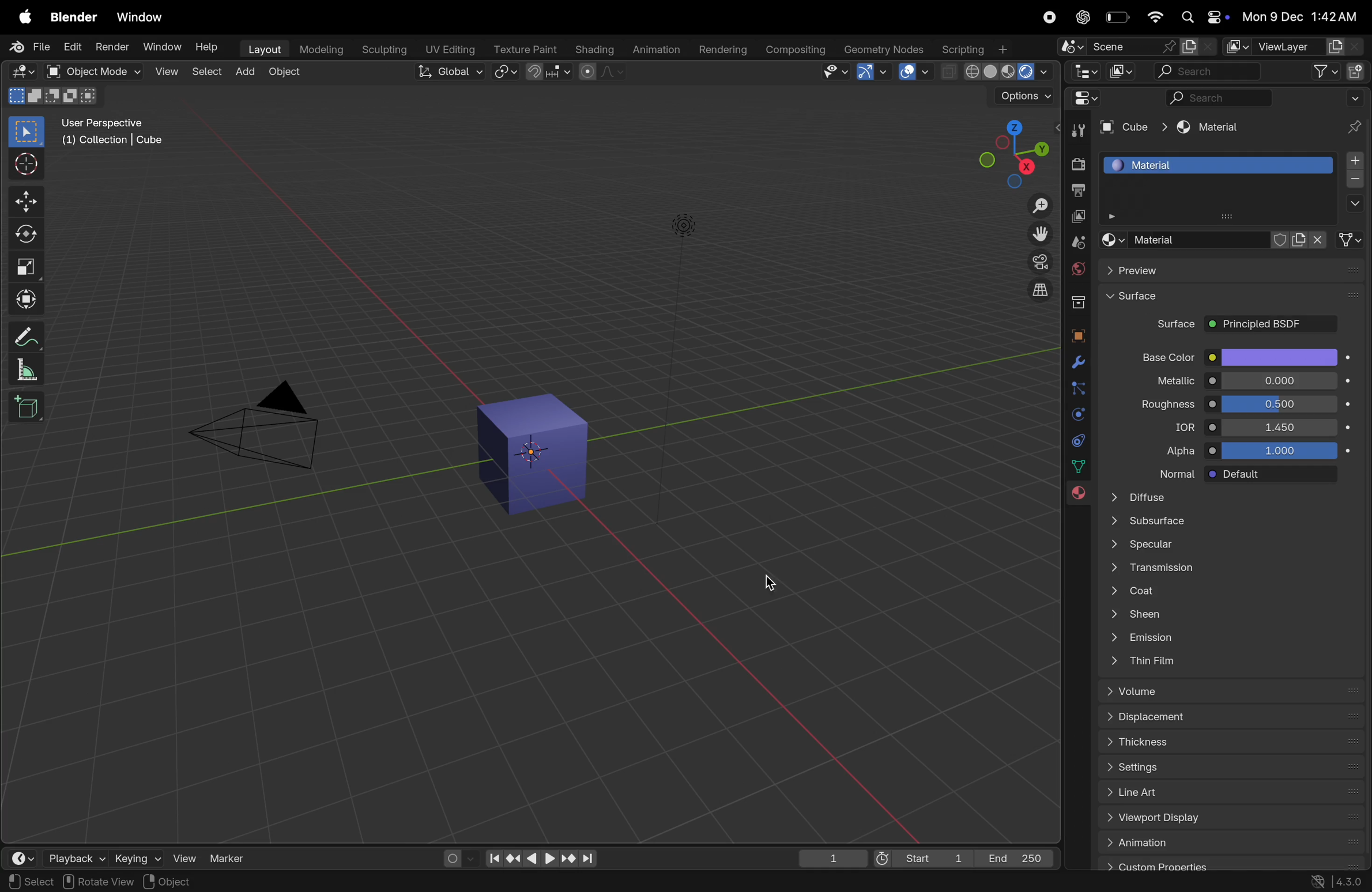 The width and height of the screenshot is (1372, 892). Describe the element at coordinates (1160, 357) in the screenshot. I see `base color` at that location.